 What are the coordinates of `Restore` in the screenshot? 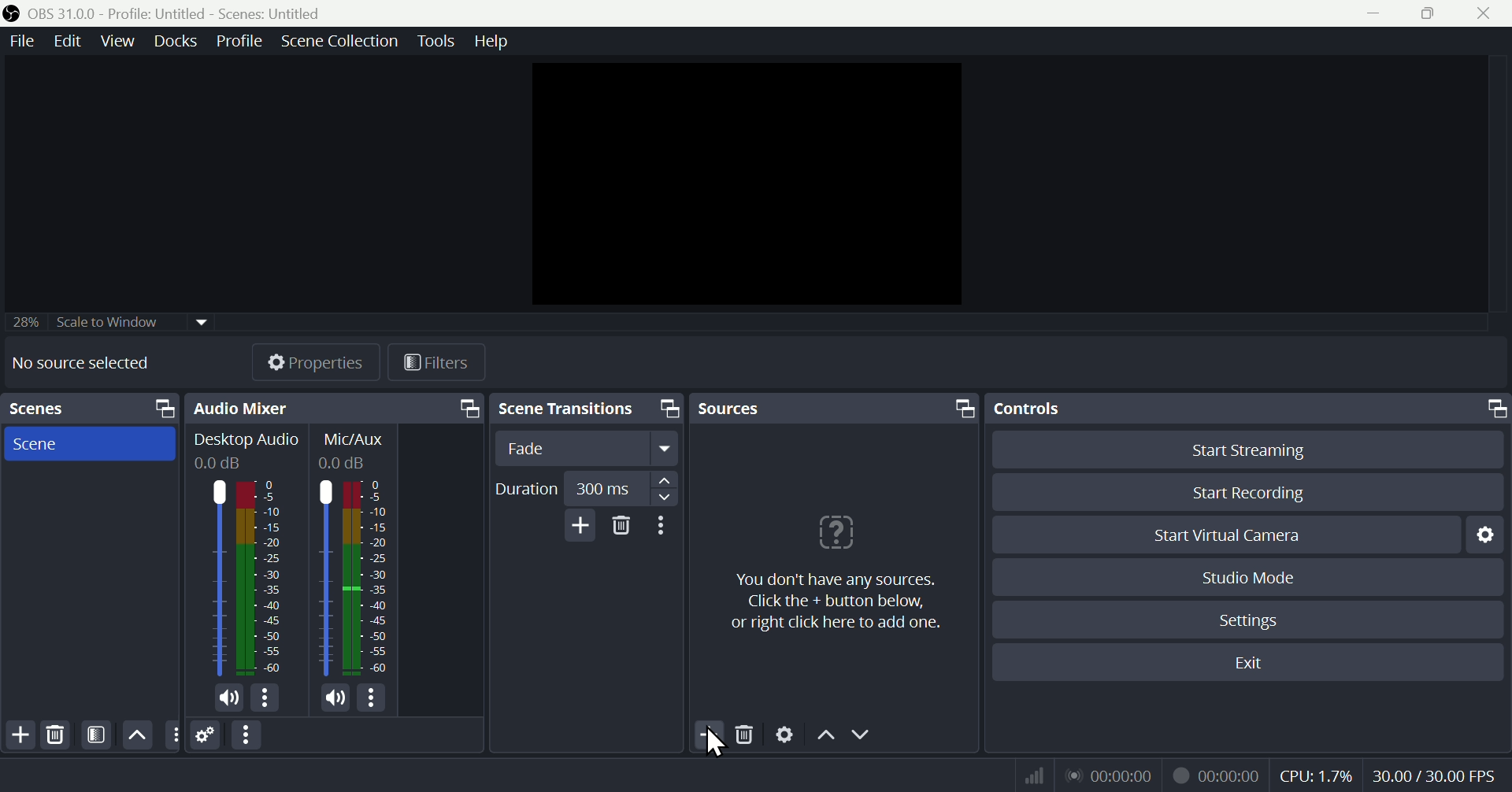 It's located at (1432, 13).